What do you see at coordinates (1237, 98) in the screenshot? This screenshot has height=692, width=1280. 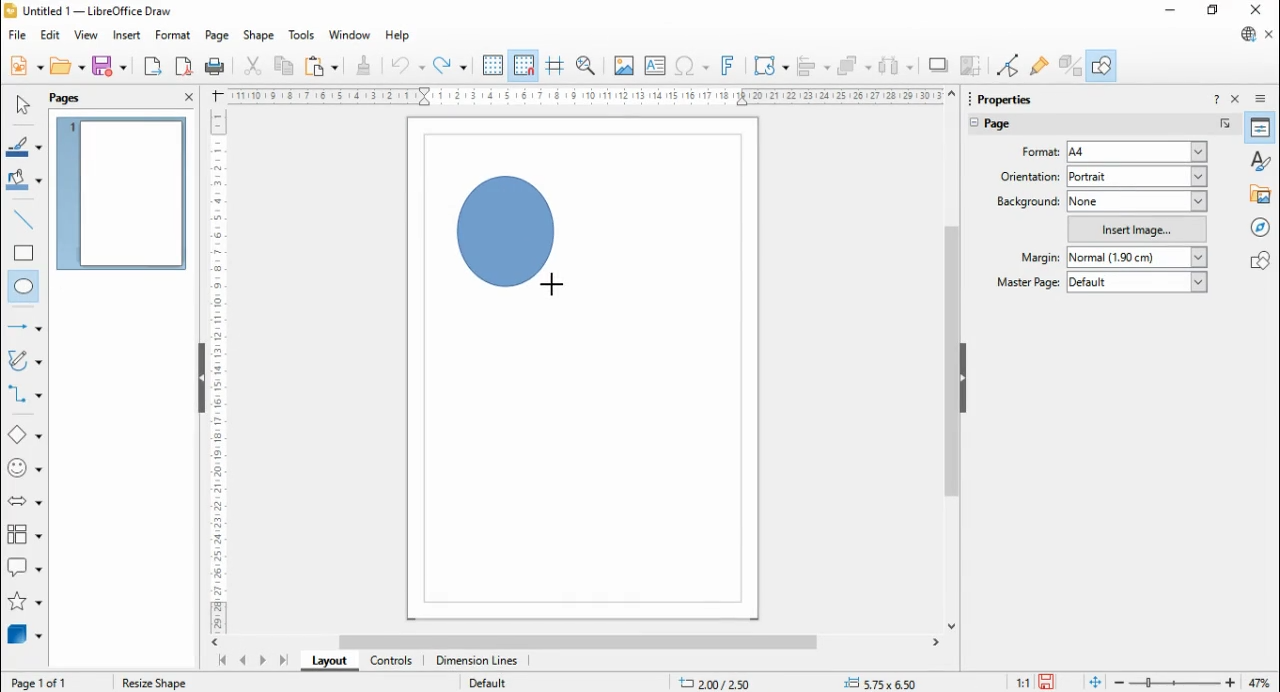 I see `close sidebar deck` at bounding box center [1237, 98].